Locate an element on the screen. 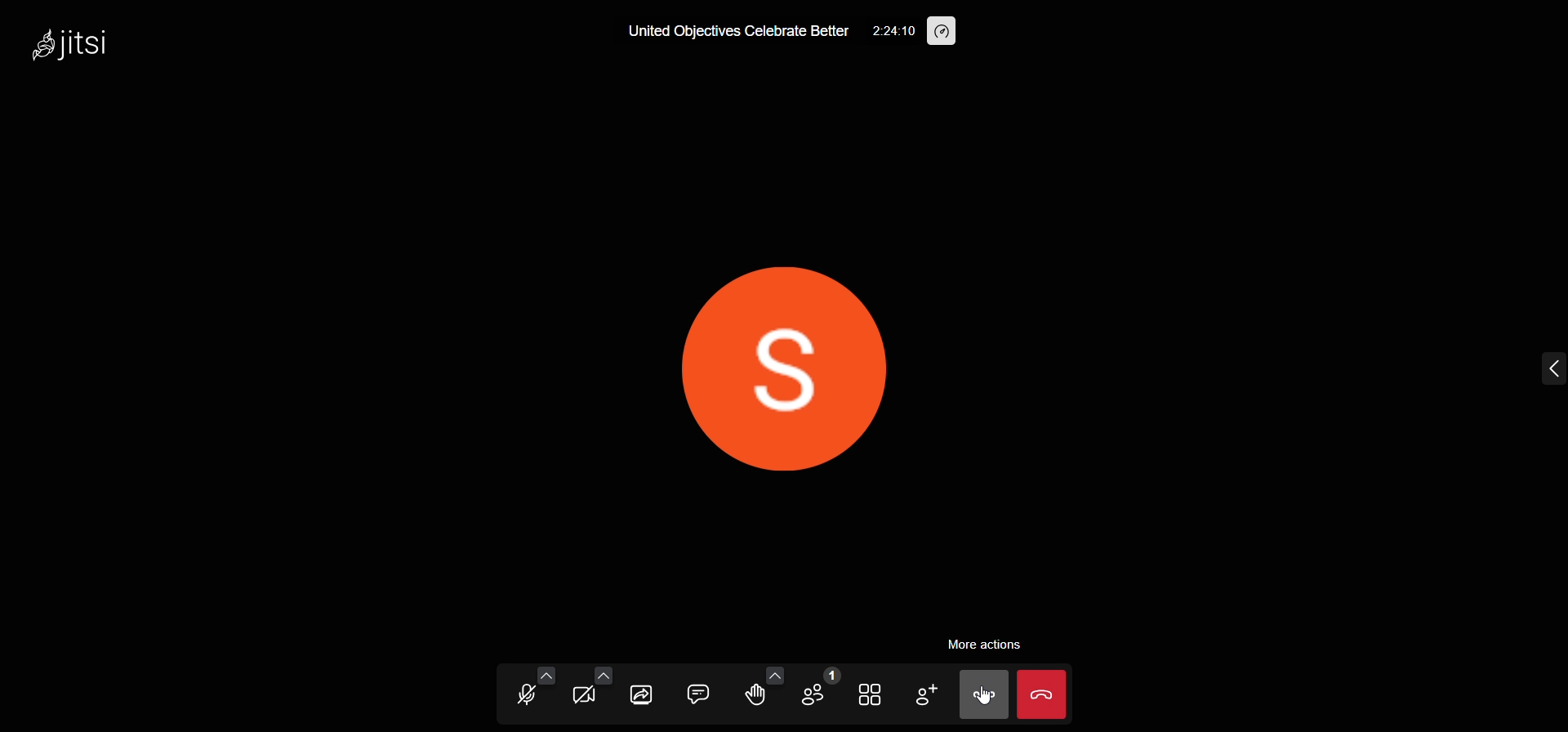 Image resolution: width=1568 pixels, height=732 pixels. leave meeting is located at coordinates (1045, 694).